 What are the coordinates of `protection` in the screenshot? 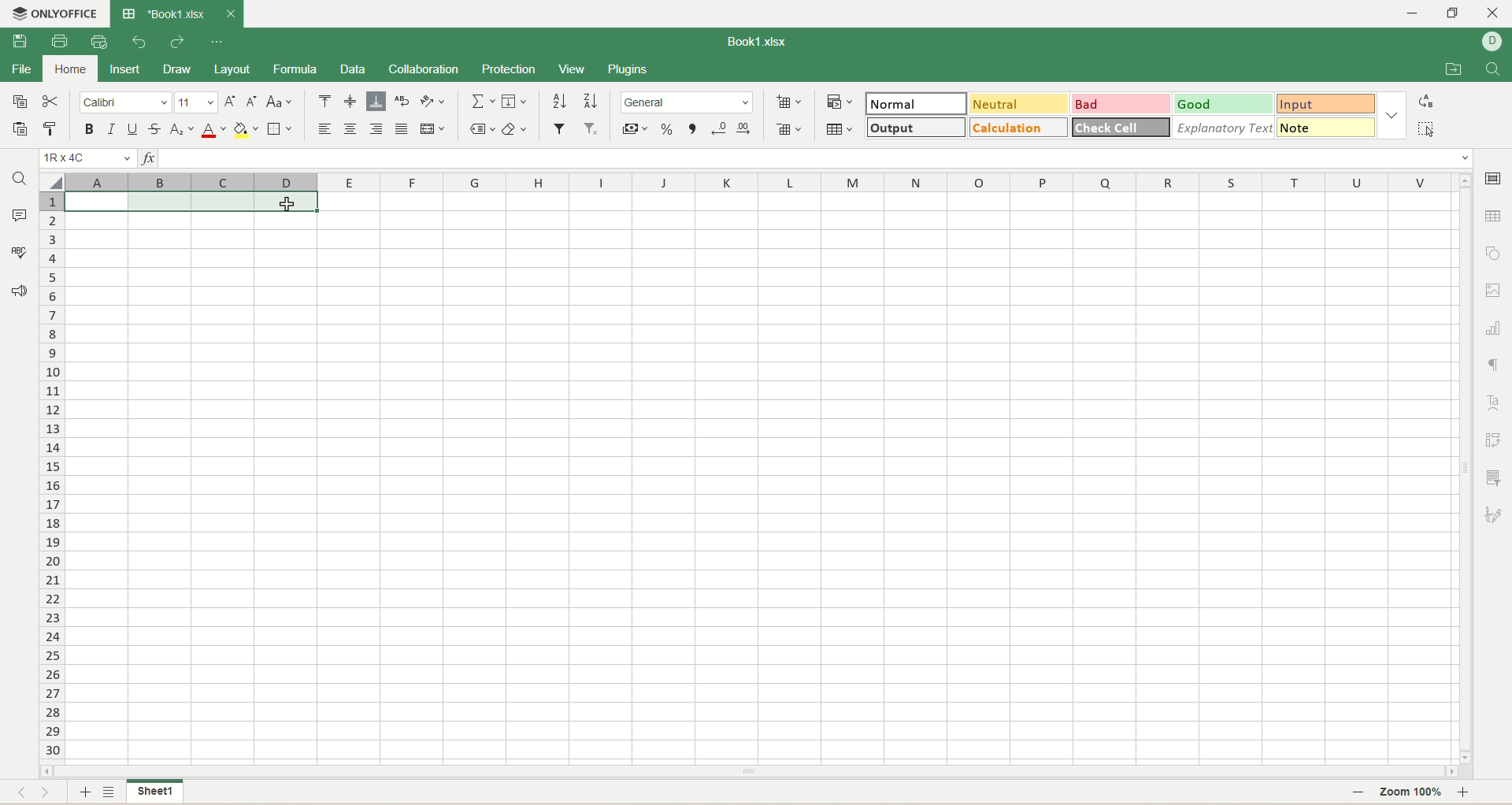 It's located at (510, 70).